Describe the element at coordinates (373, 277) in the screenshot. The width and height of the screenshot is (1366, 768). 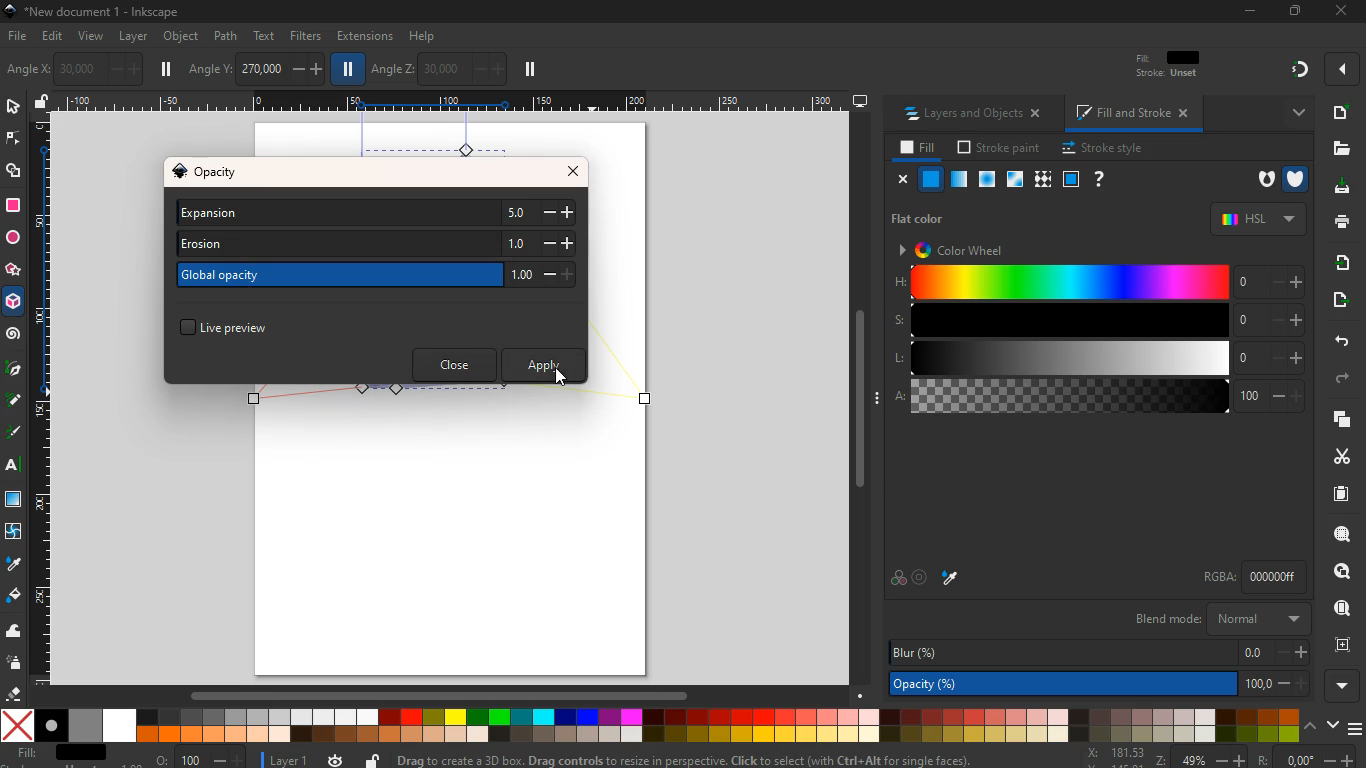
I see `global opacity` at that location.